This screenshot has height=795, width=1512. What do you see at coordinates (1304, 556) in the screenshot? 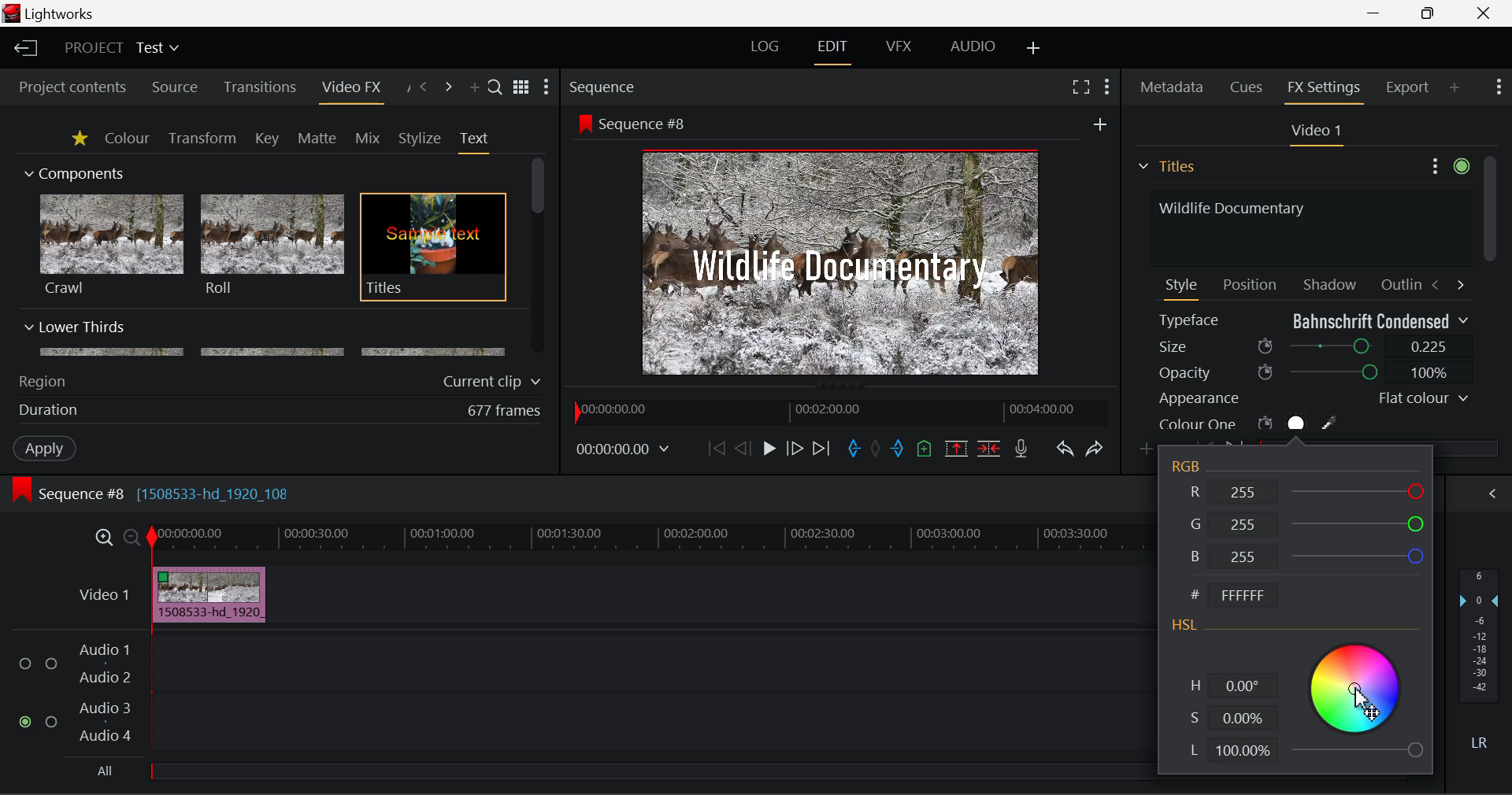
I see `B` at bounding box center [1304, 556].